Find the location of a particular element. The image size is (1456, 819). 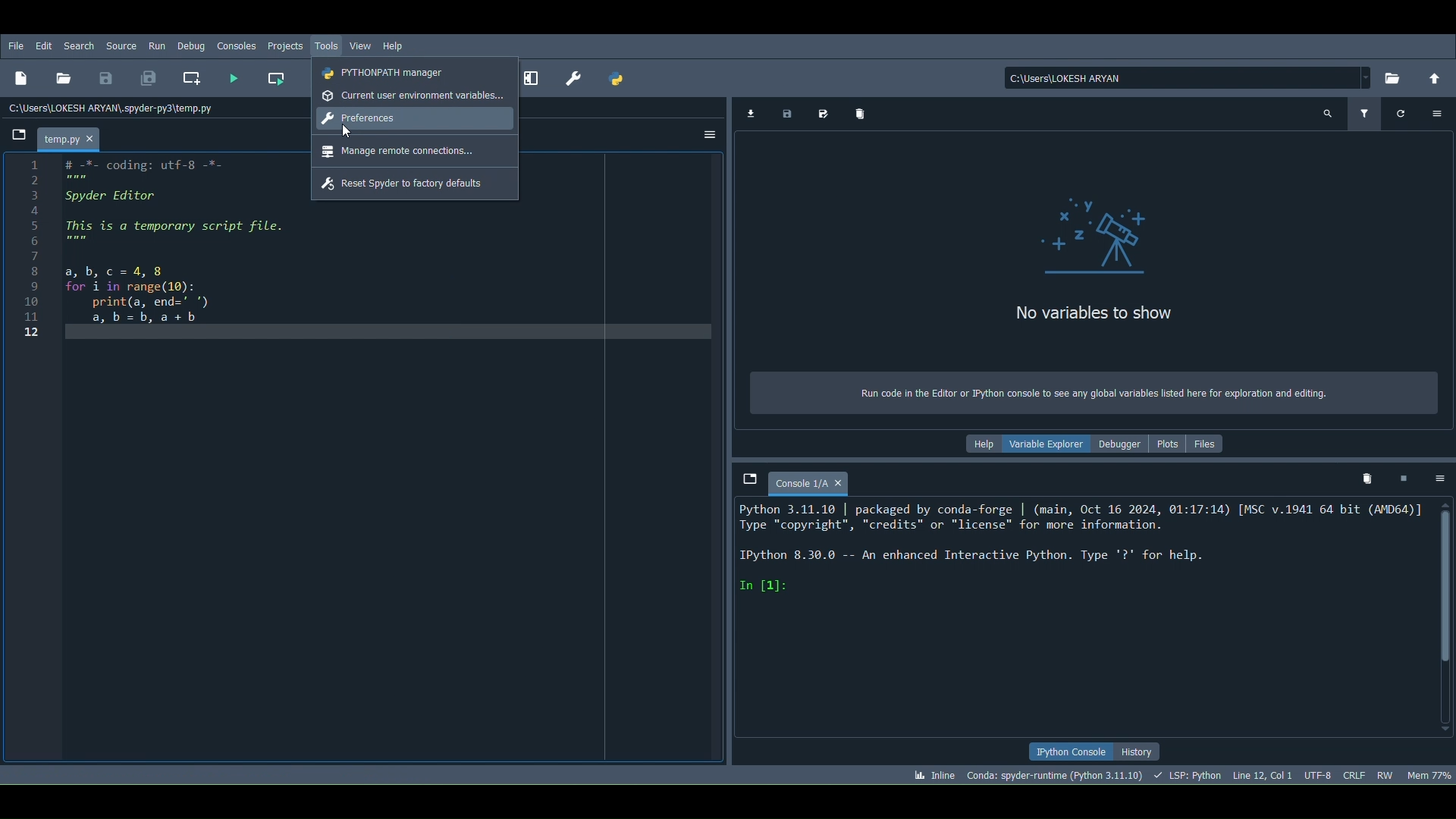

Debugger is located at coordinates (1119, 441).